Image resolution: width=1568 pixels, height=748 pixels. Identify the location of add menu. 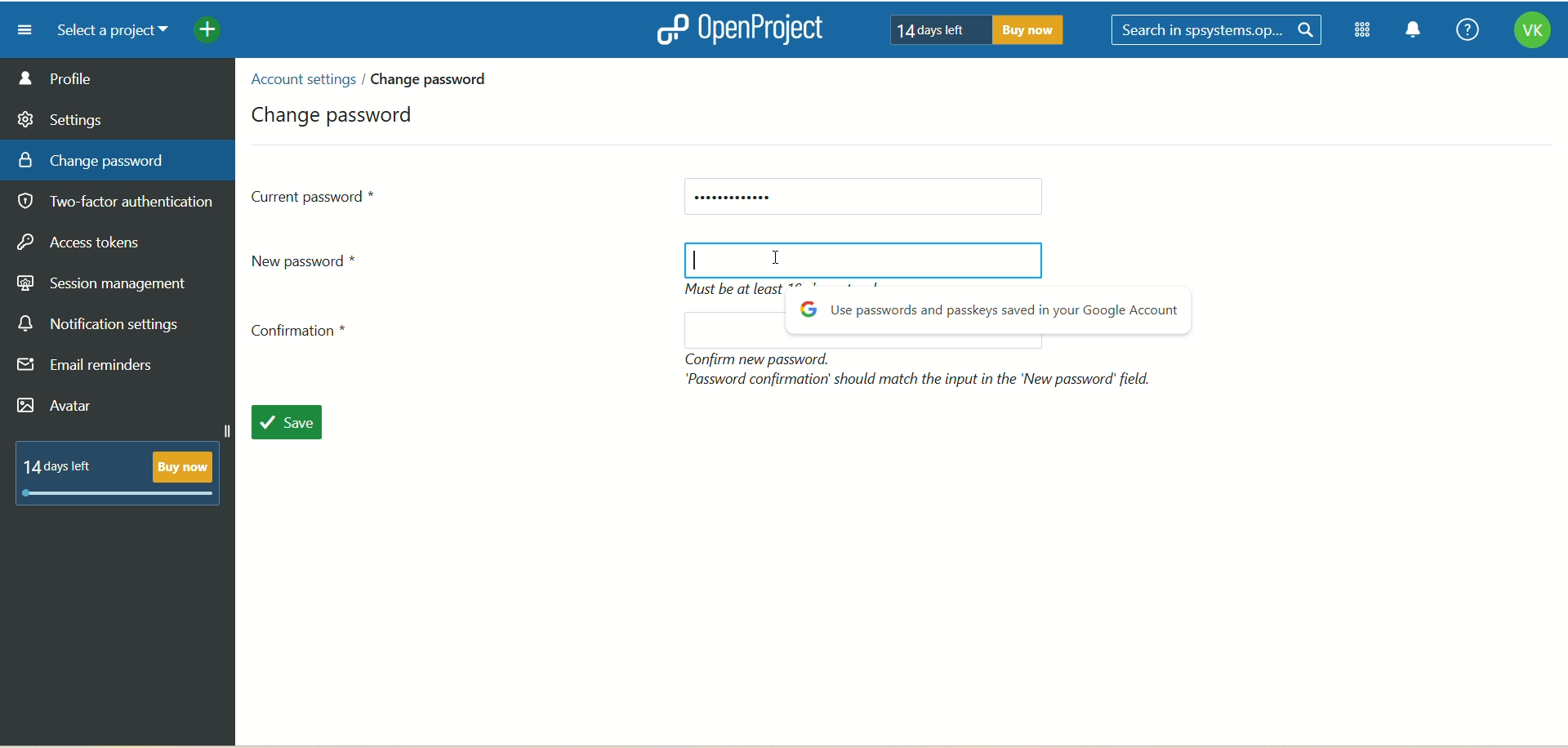
(209, 32).